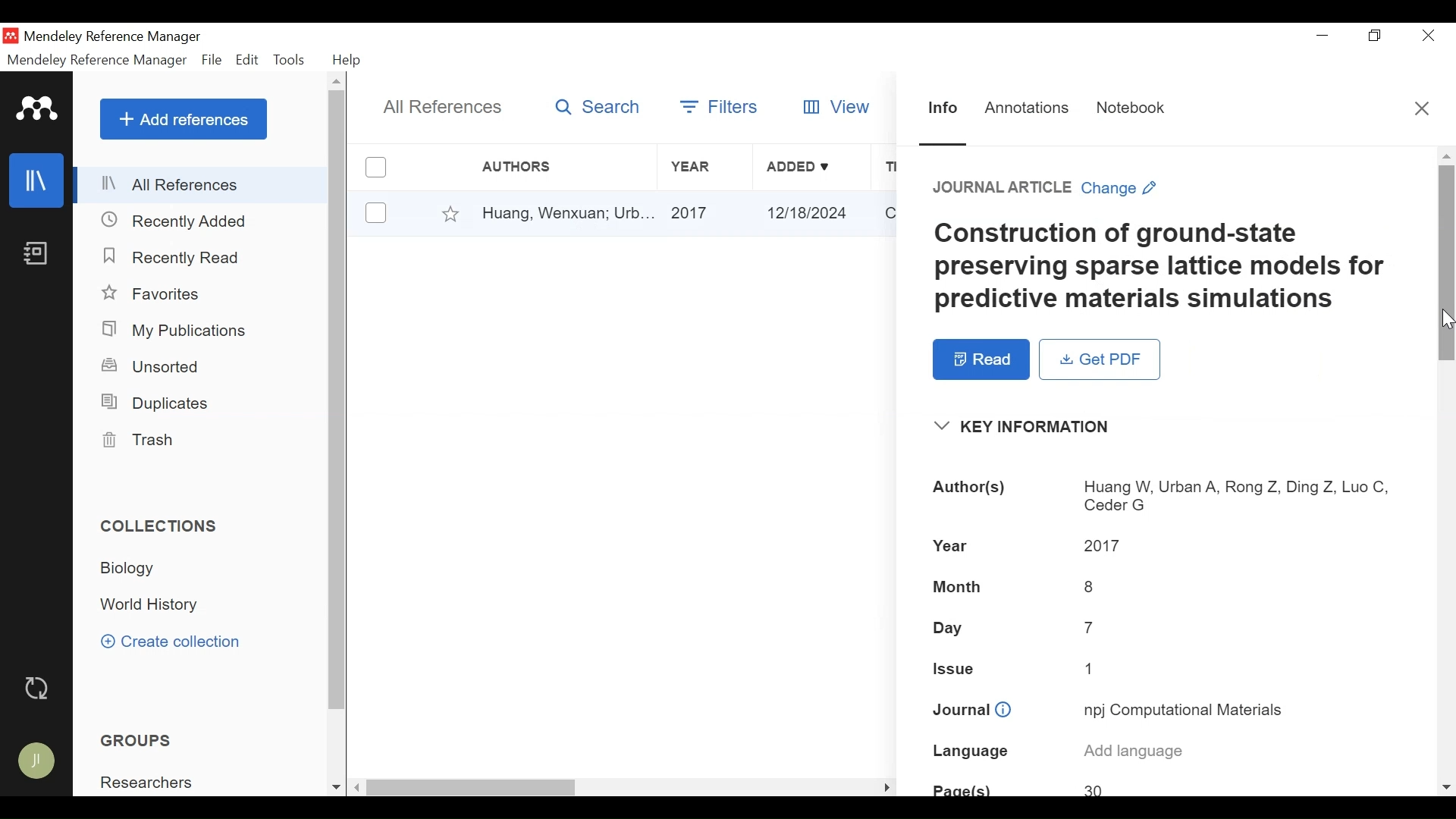  I want to click on 12/18/2024, so click(811, 212).